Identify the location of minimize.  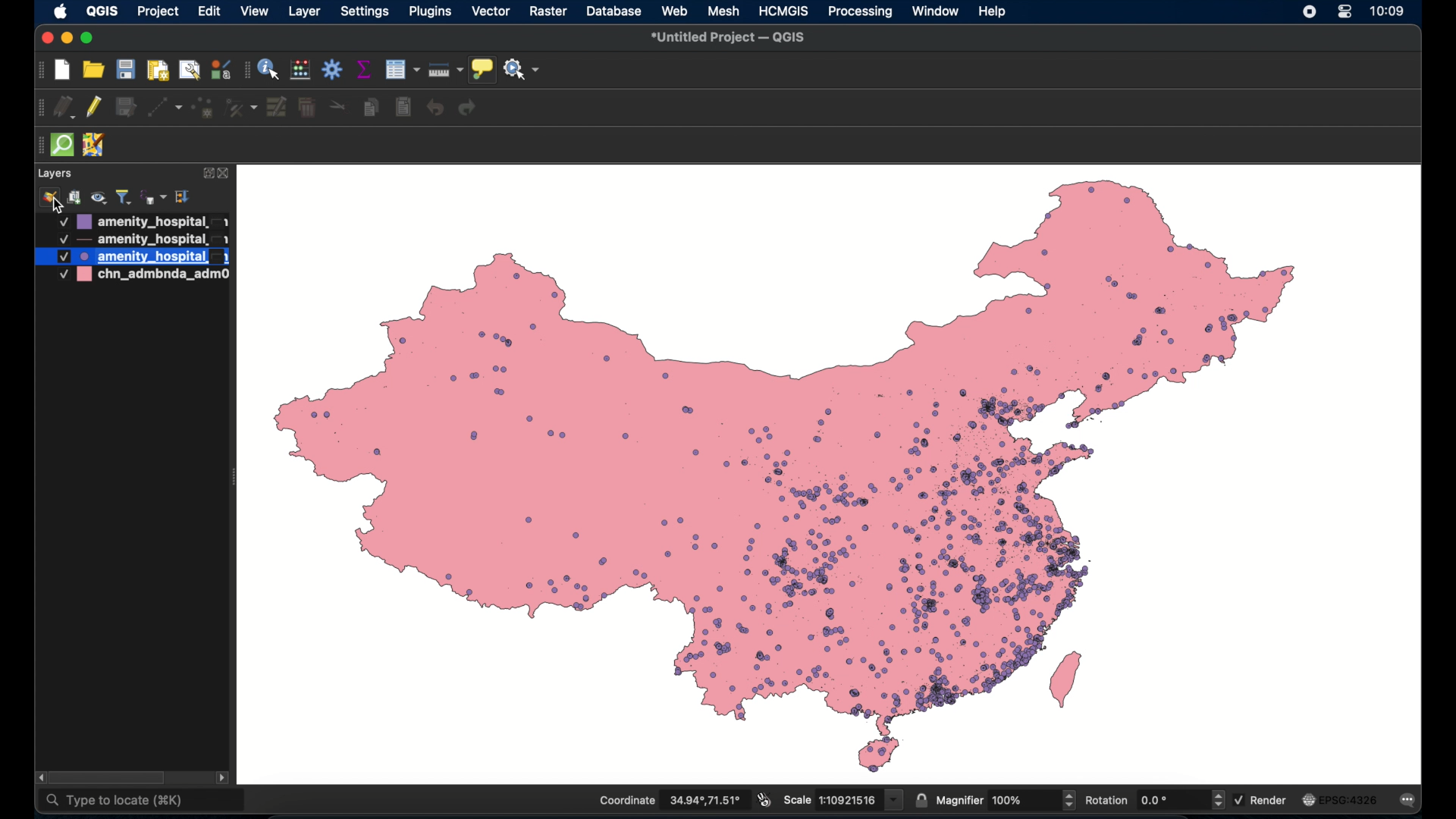
(66, 39).